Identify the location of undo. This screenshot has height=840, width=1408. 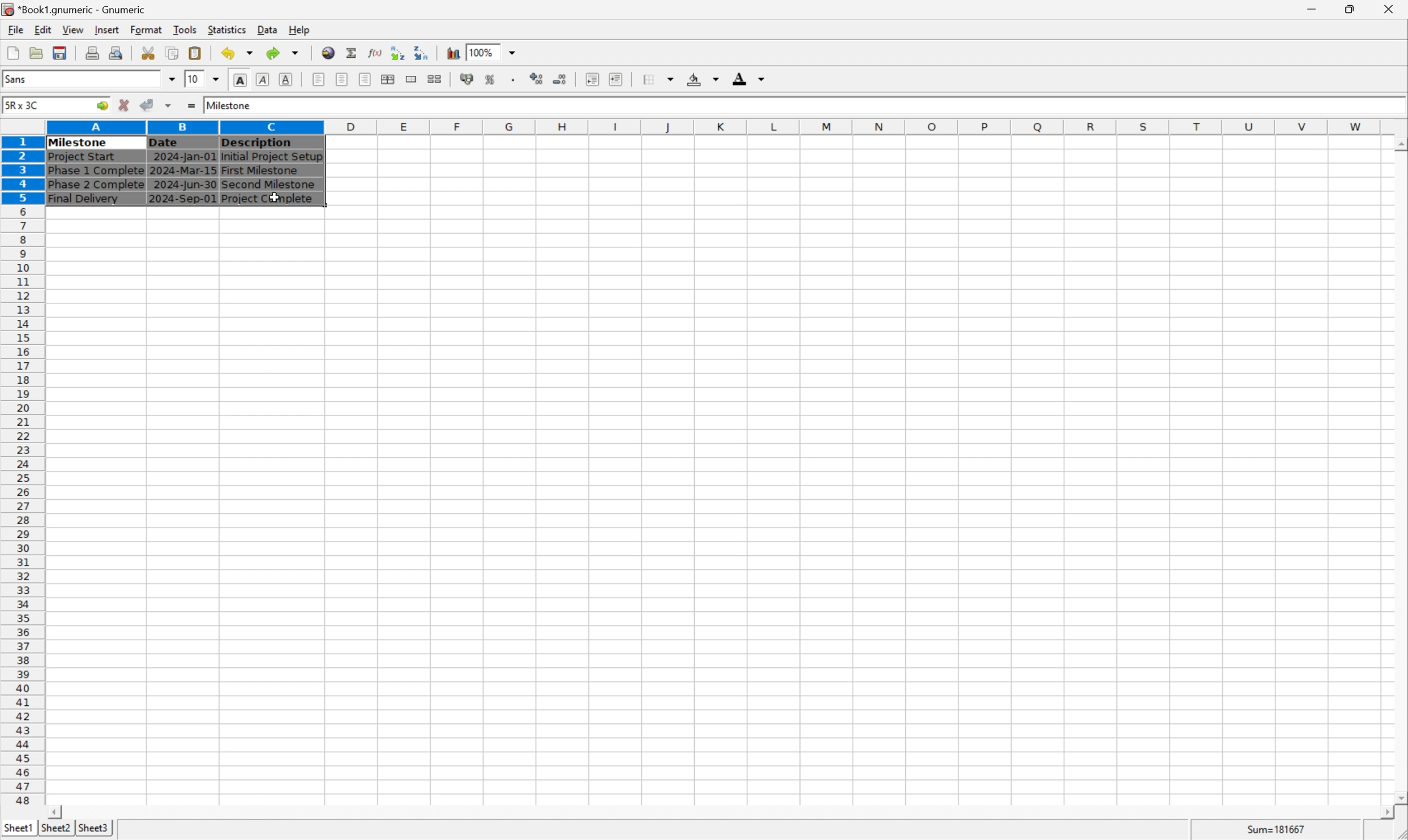
(240, 54).